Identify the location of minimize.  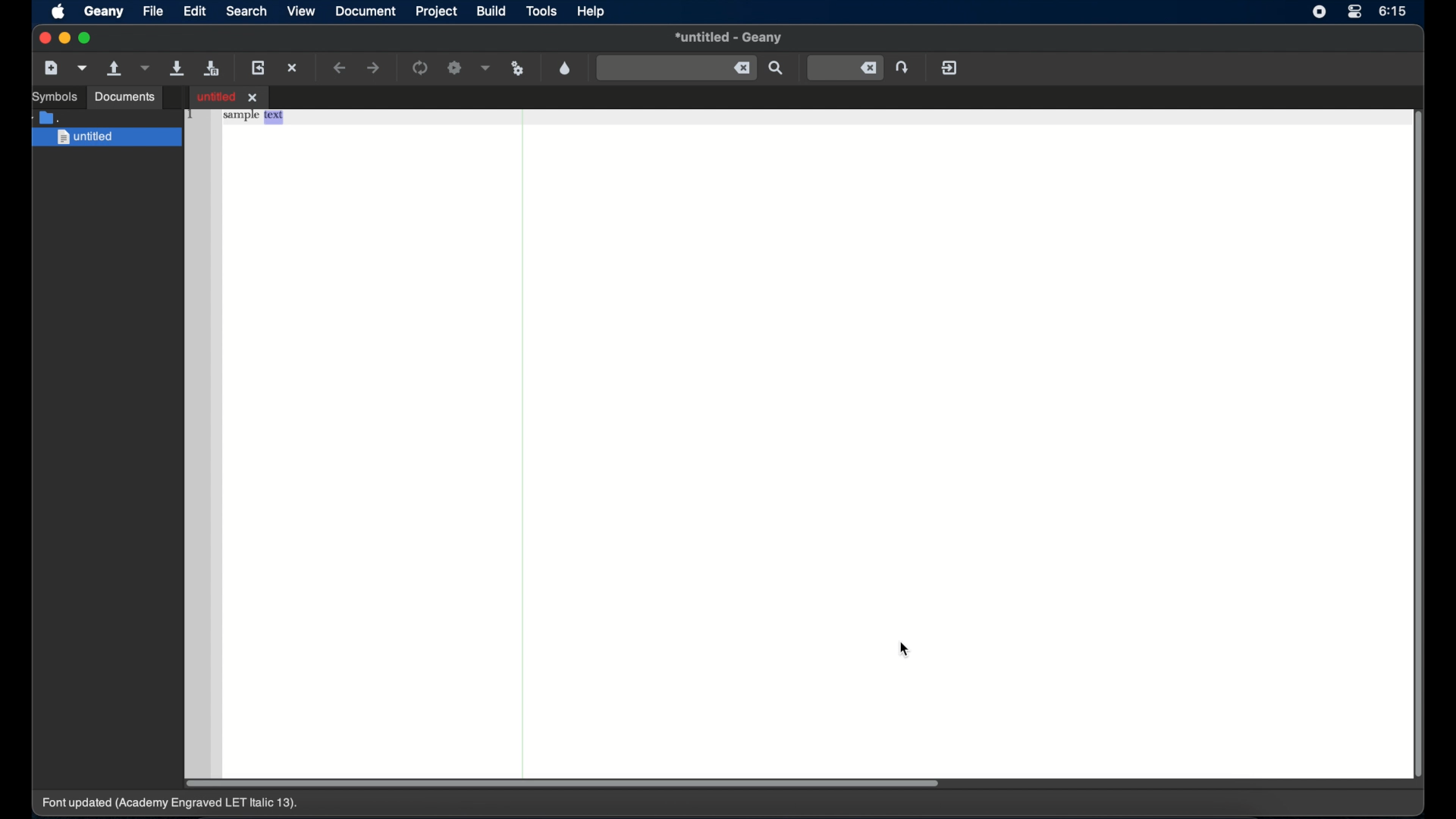
(65, 38).